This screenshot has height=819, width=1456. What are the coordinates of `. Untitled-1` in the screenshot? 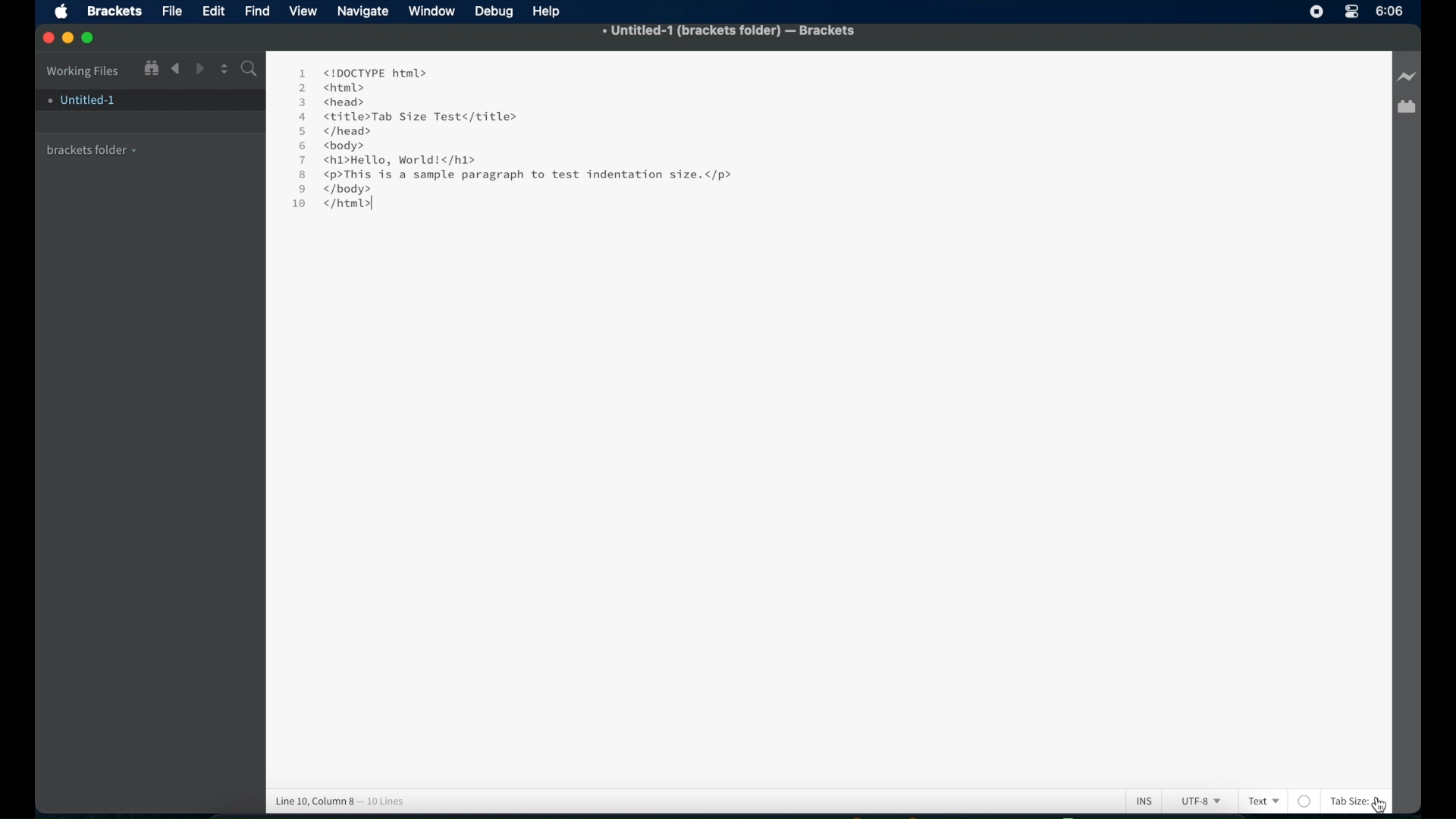 It's located at (80, 100).